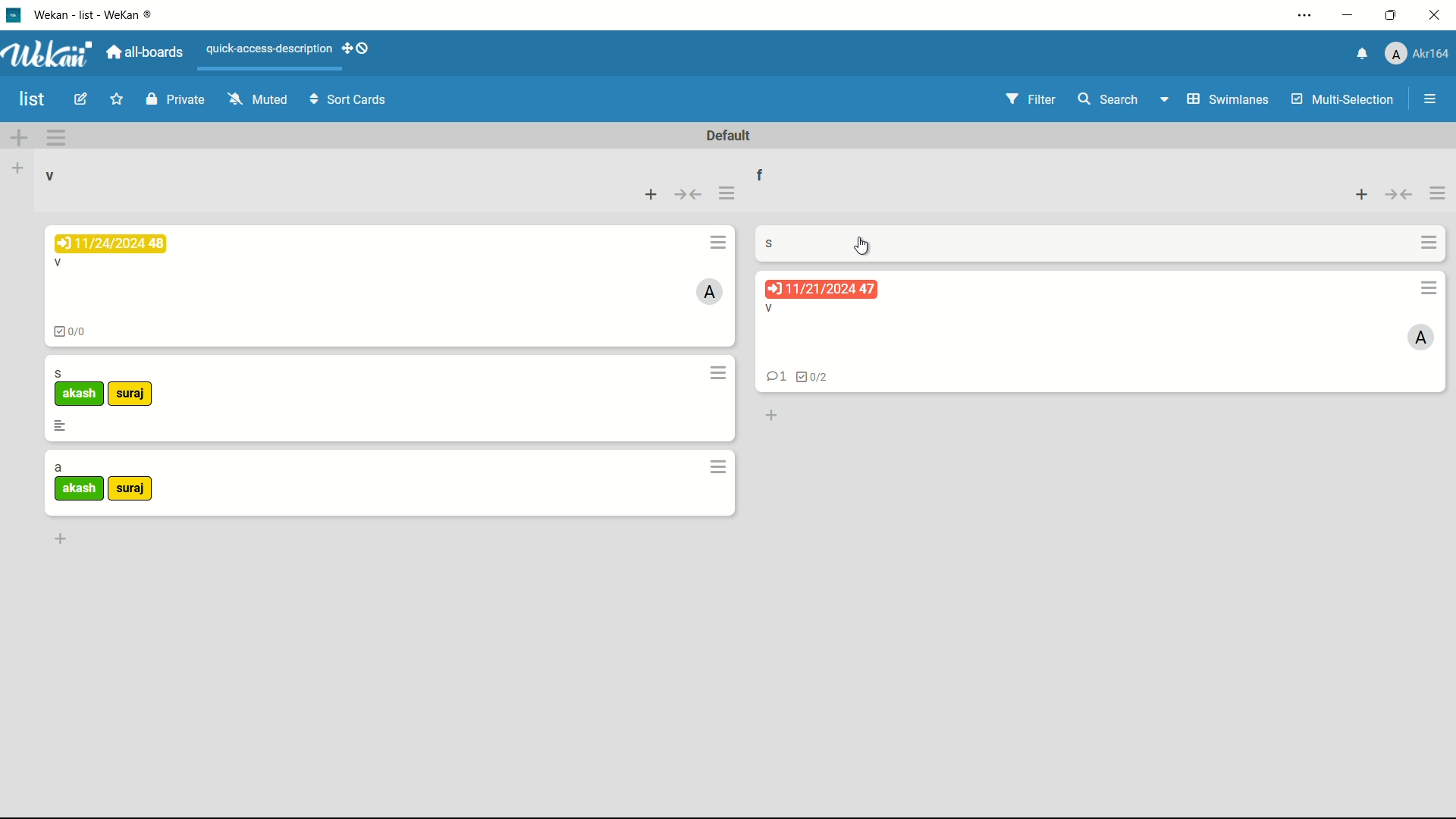  I want to click on card name, so click(768, 243).